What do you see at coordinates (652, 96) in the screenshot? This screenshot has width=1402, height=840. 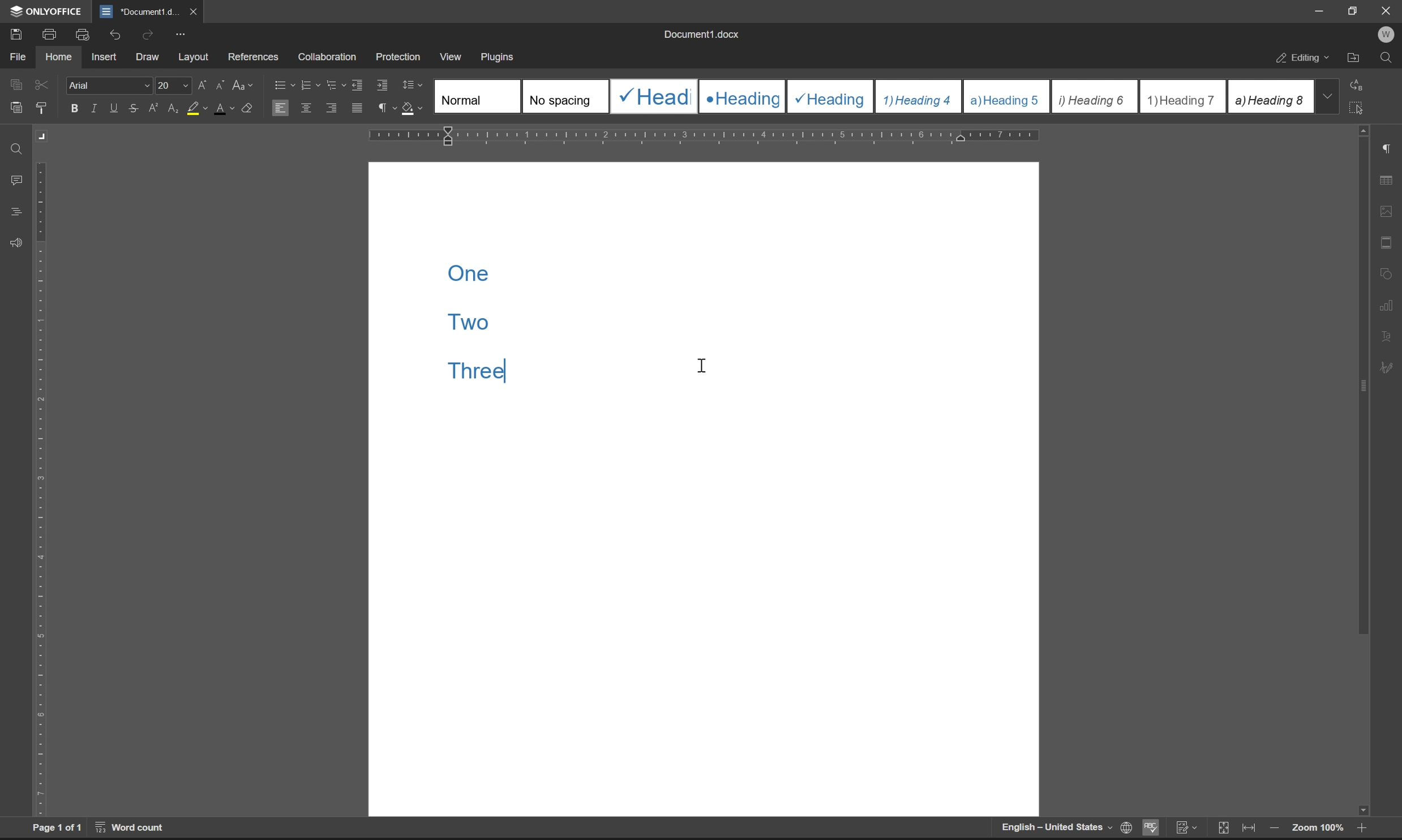 I see `Heading 1` at bounding box center [652, 96].